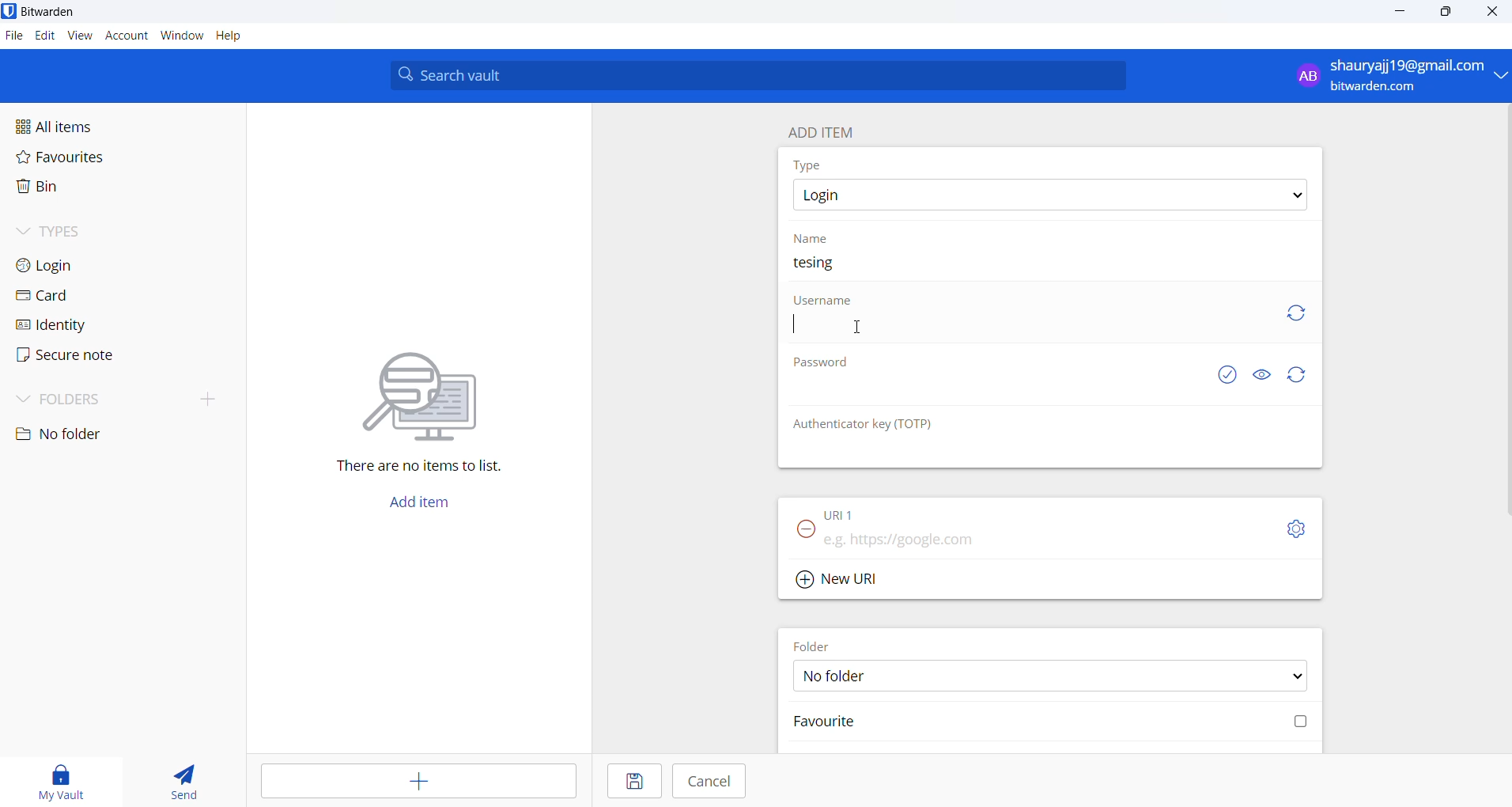 The height and width of the screenshot is (807, 1512). What do you see at coordinates (841, 513) in the screenshot?
I see `URL 1` at bounding box center [841, 513].